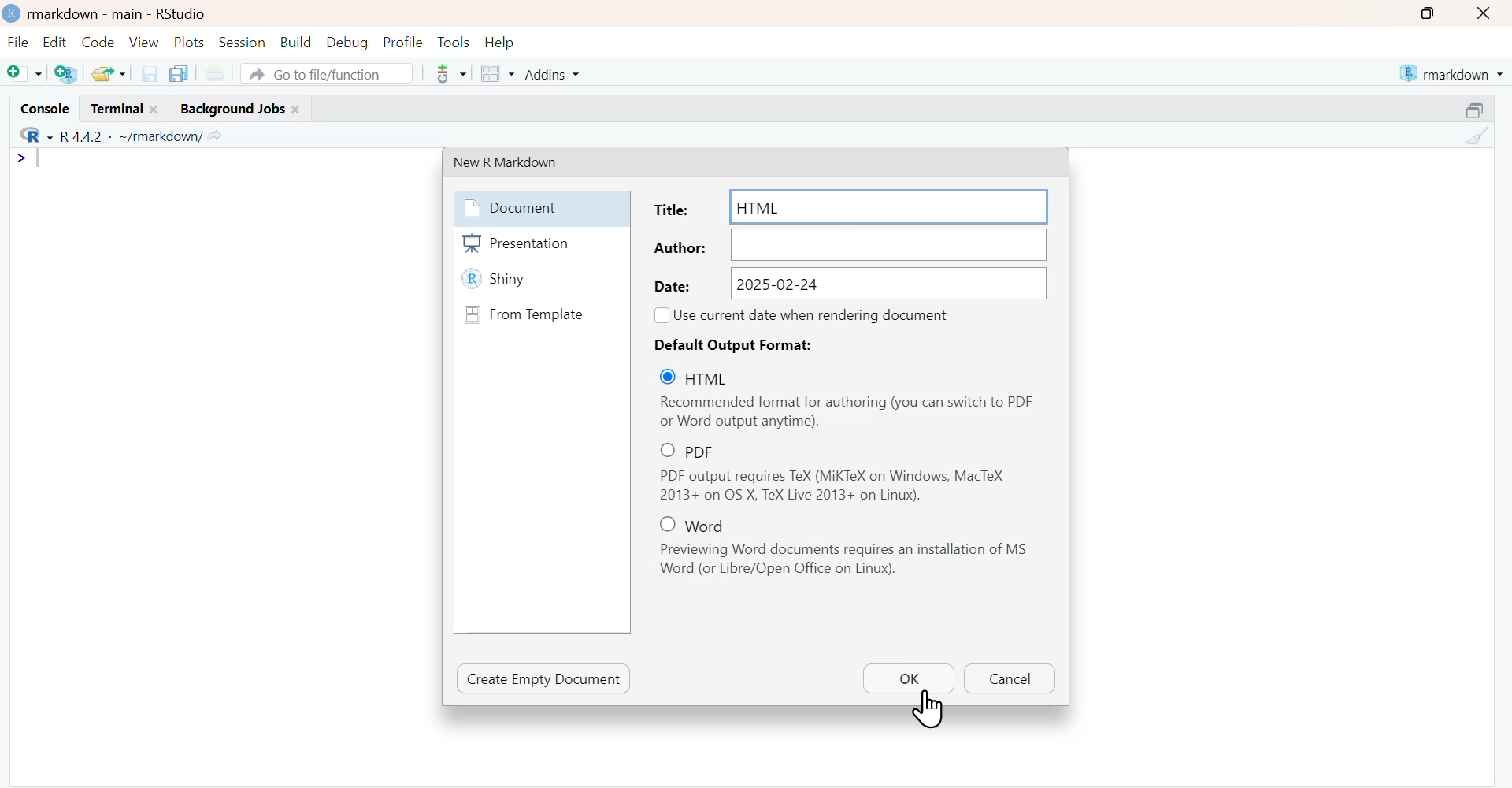 The width and height of the screenshot is (1512, 788). I want to click on OK, so click(908, 678).